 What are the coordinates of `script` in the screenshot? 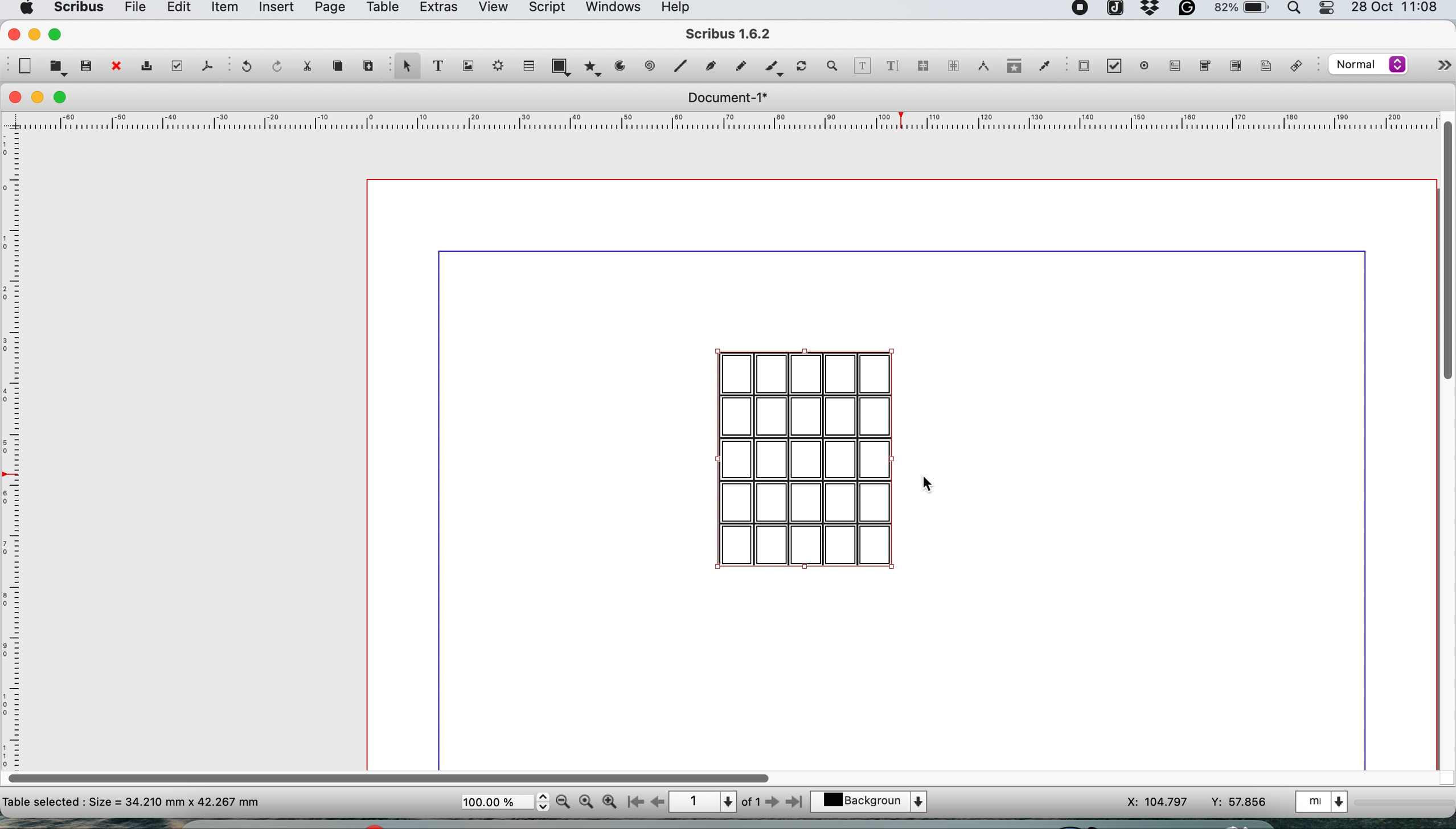 It's located at (545, 9).